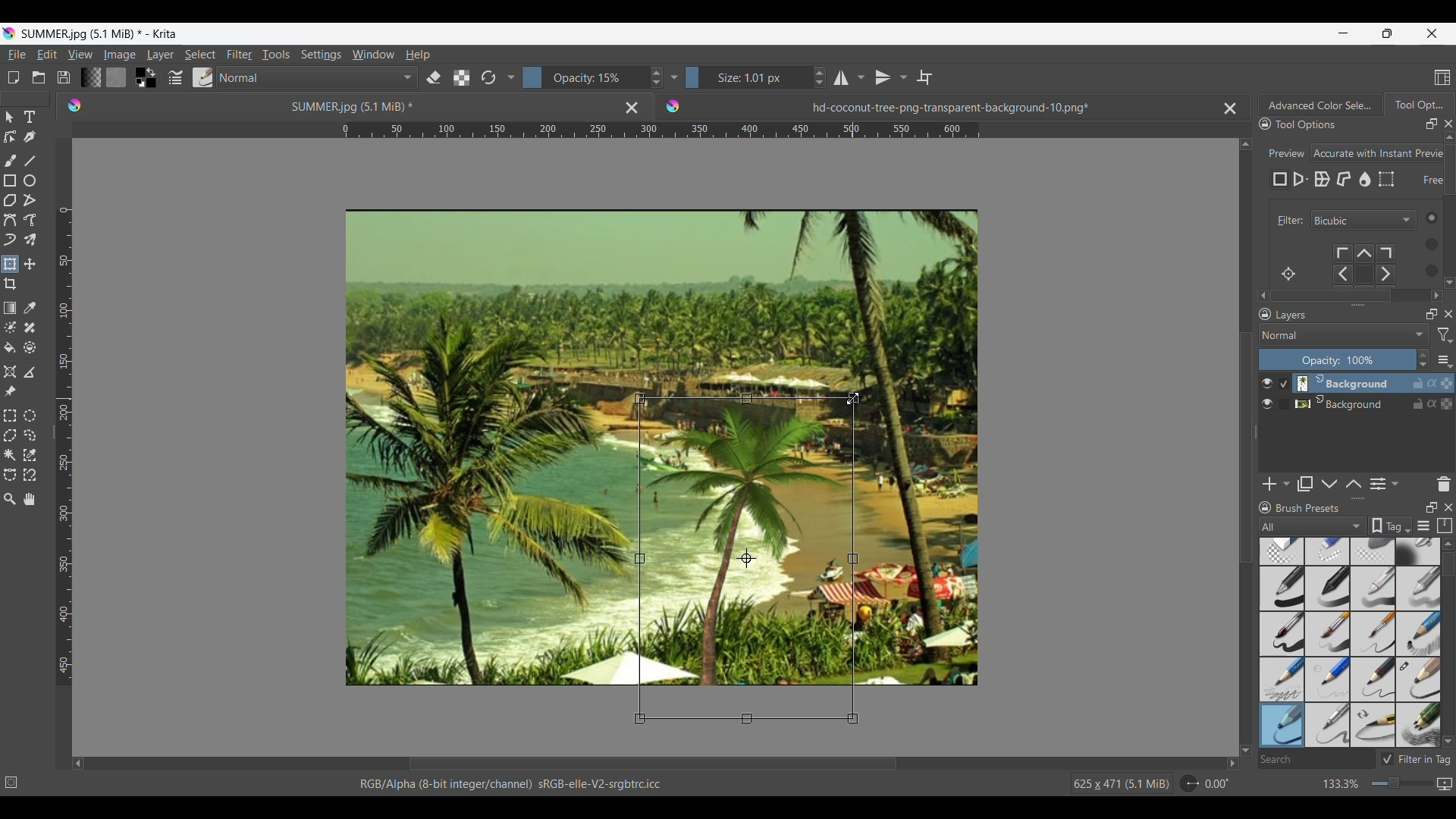  What do you see at coordinates (1314, 508) in the screenshot?
I see `Brush Presets` at bounding box center [1314, 508].